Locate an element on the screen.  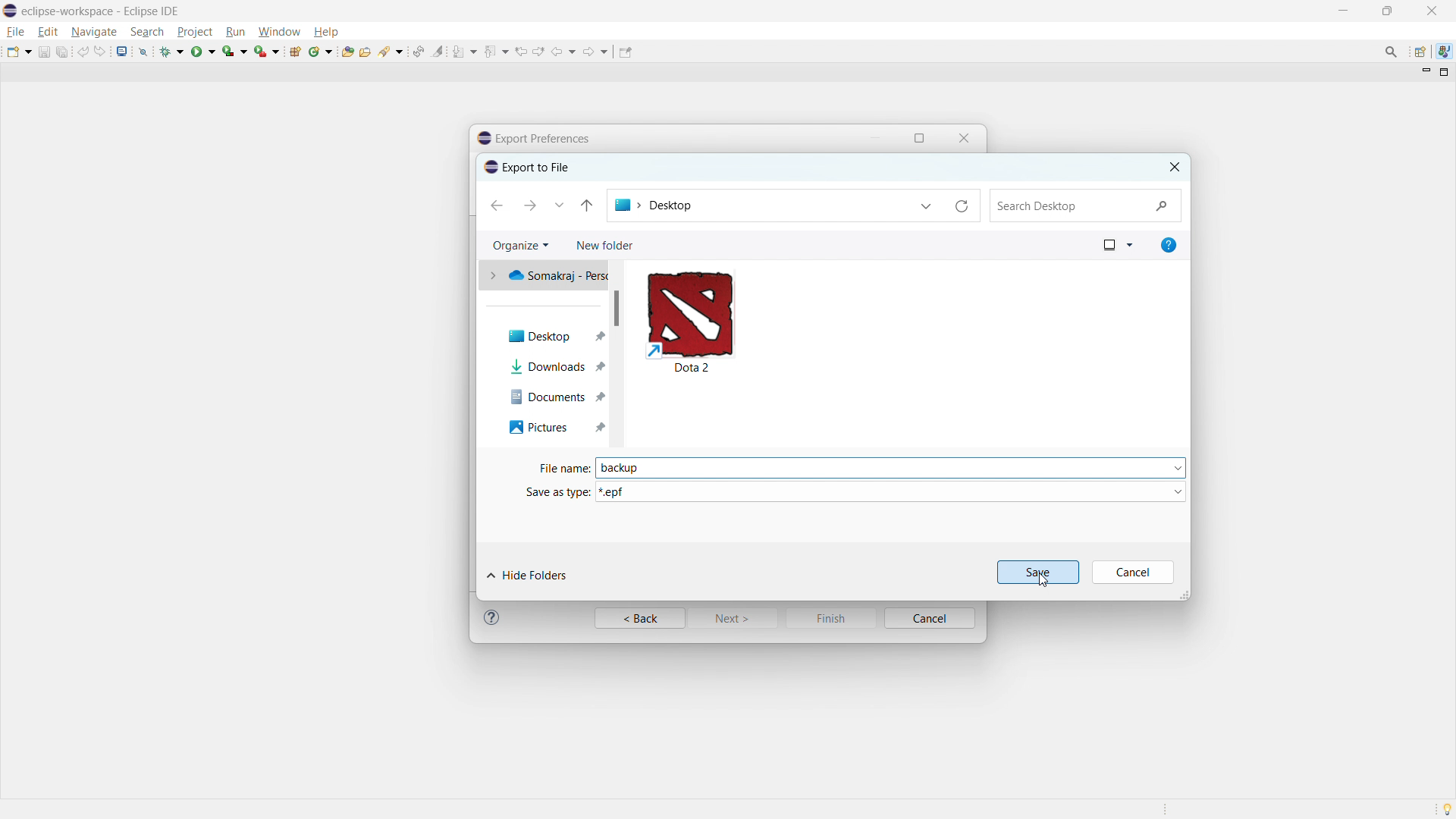
Export Preferences is located at coordinates (536, 167).